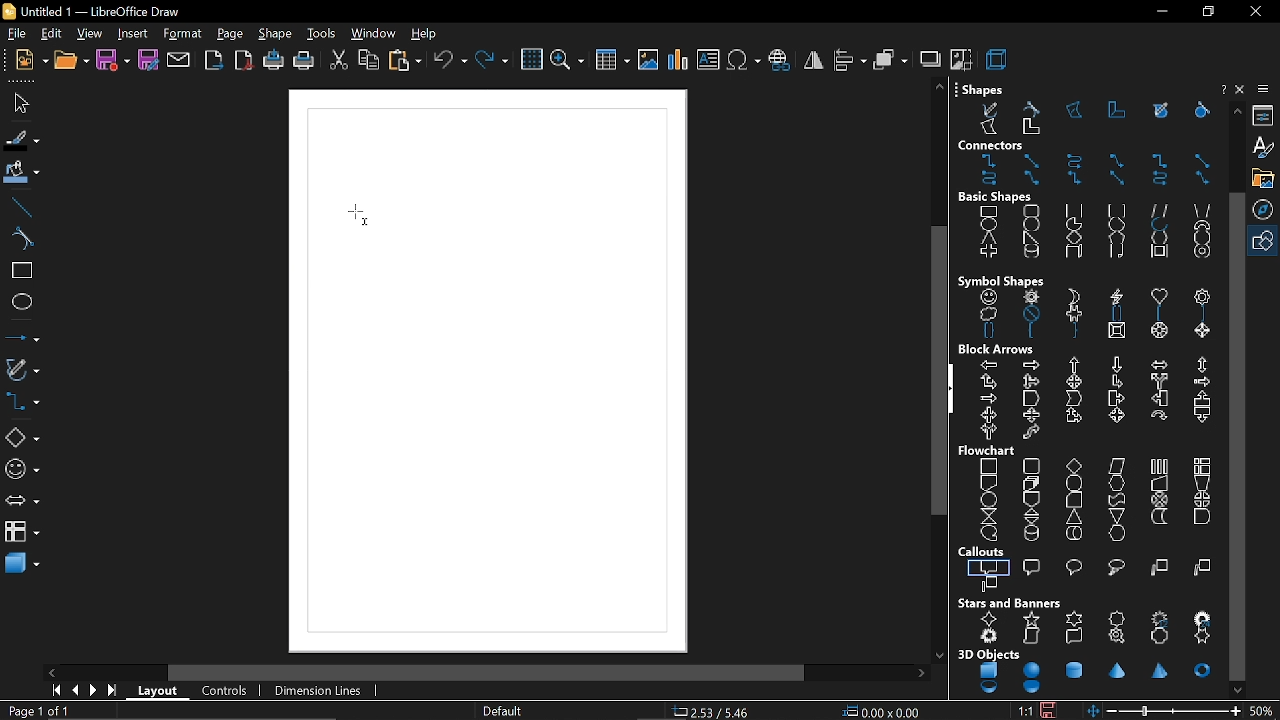  I want to click on edit, so click(50, 34).